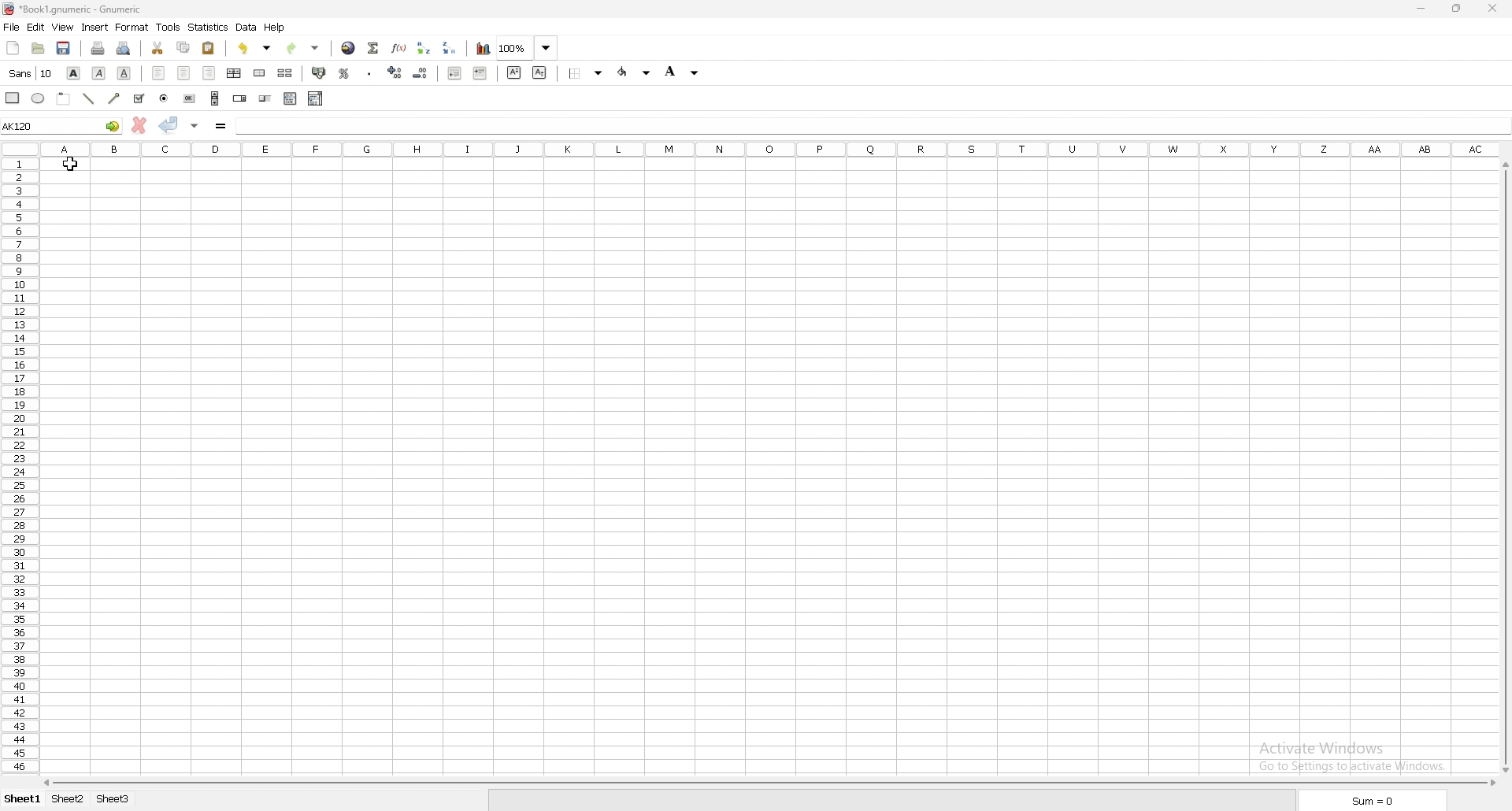 This screenshot has height=811, width=1512. I want to click on statistics, so click(209, 27).